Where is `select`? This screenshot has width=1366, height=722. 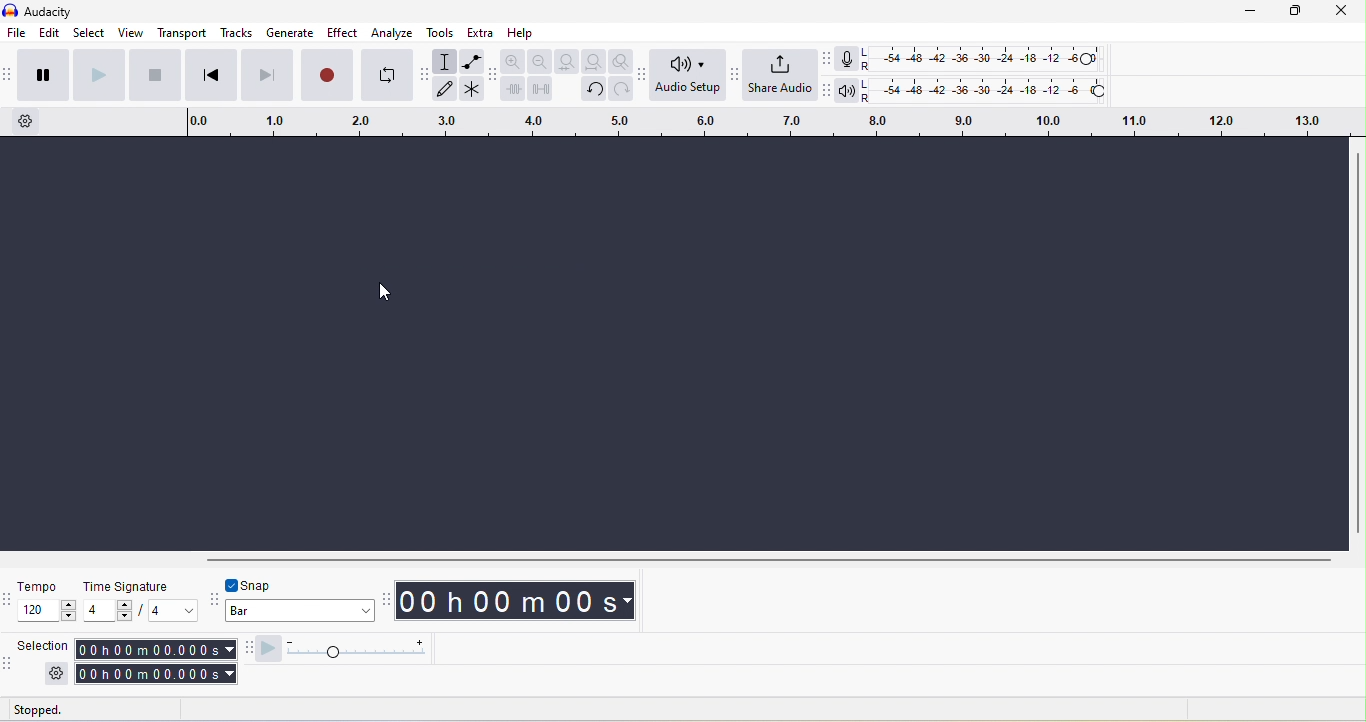 select is located at coordinates (89, 32).